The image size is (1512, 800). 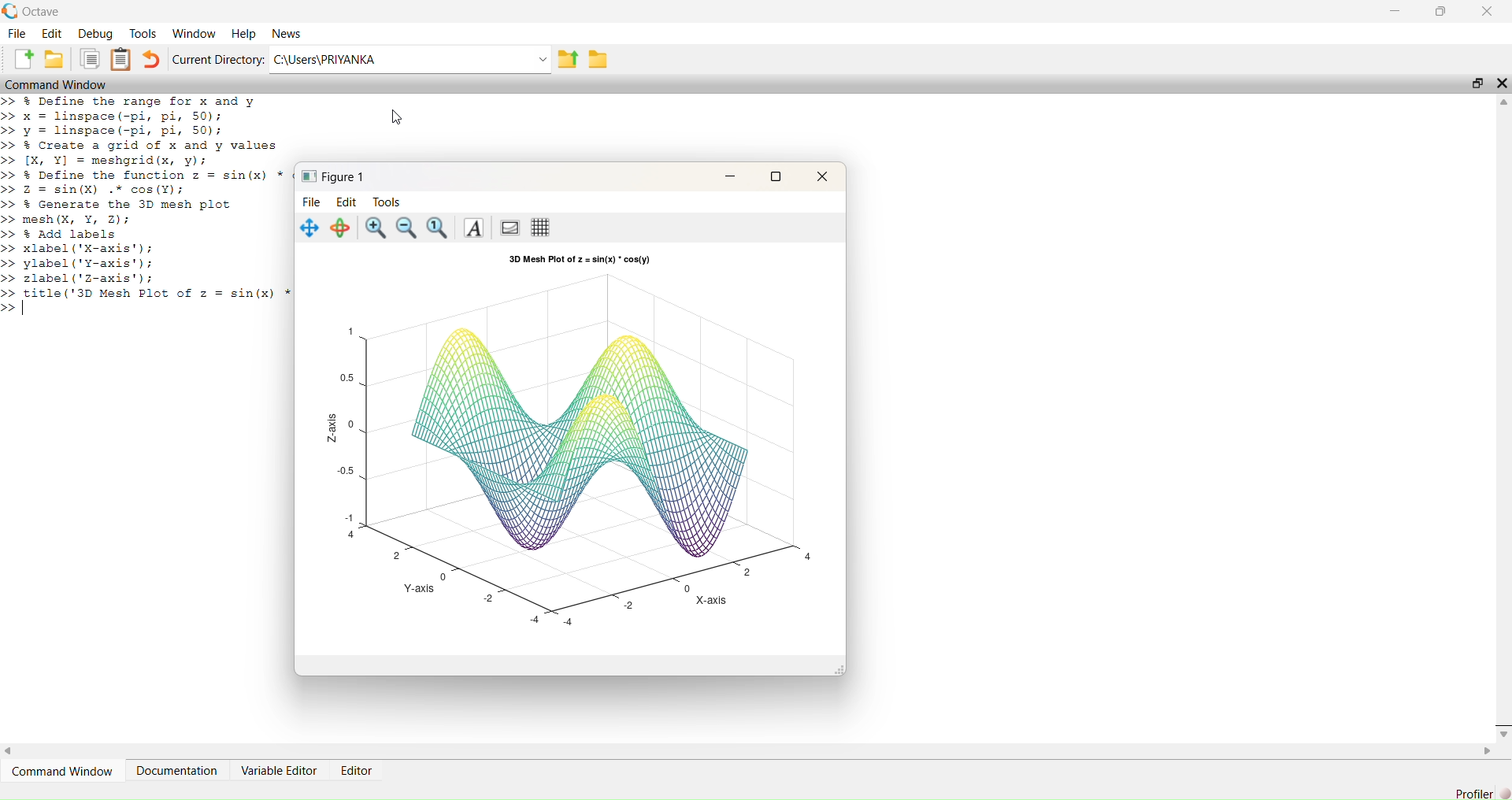 What do you see at coordinates (310, 228) in the screenshot?
I see `Pan` at bounding box center [310, 228].